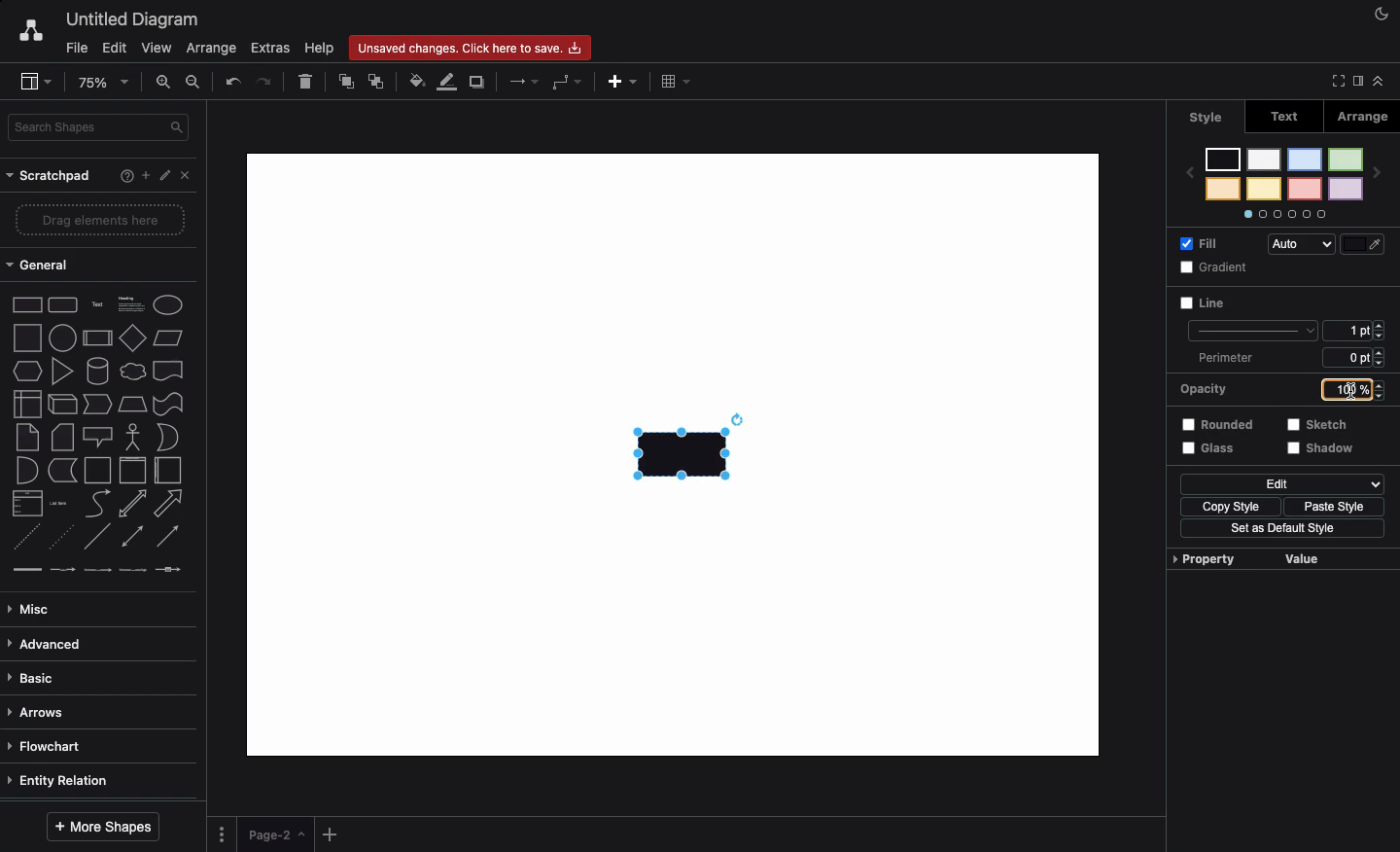  I want to click on Fill, so click(1366, 243).